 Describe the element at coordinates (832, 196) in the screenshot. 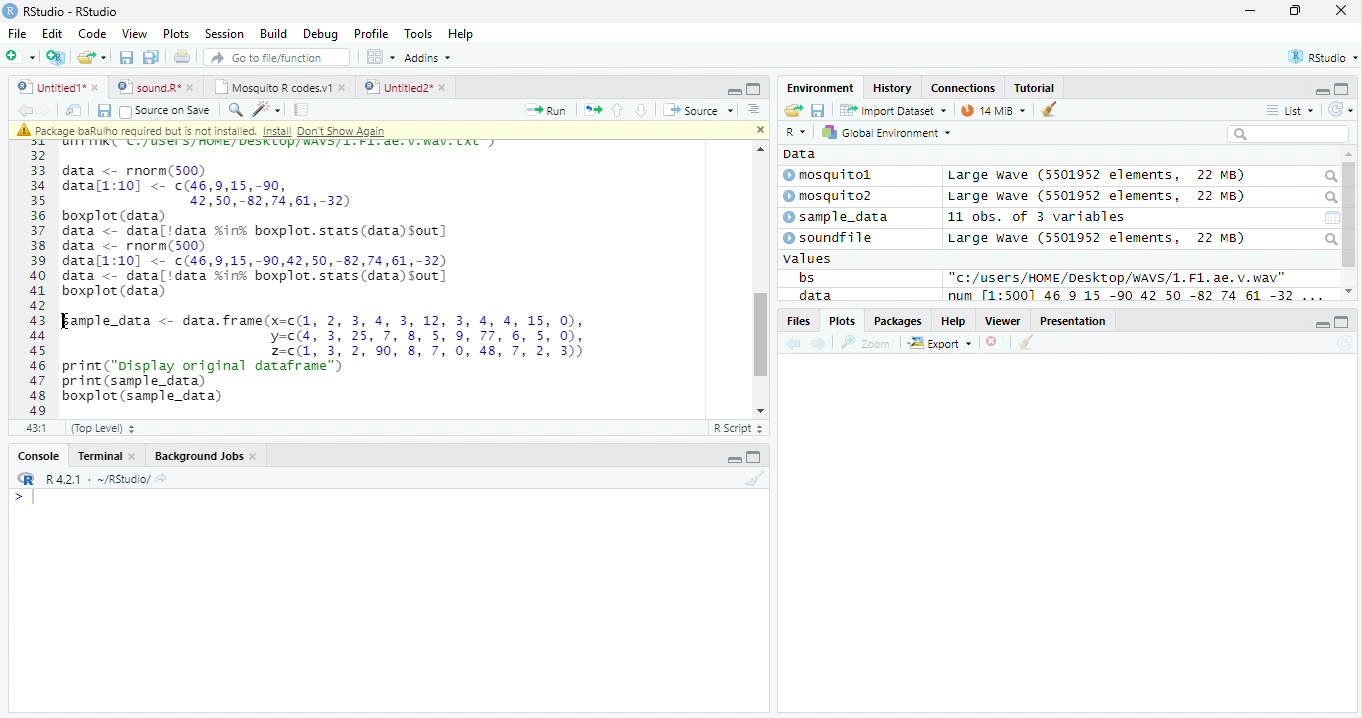

I see `mosquito2` at that location.